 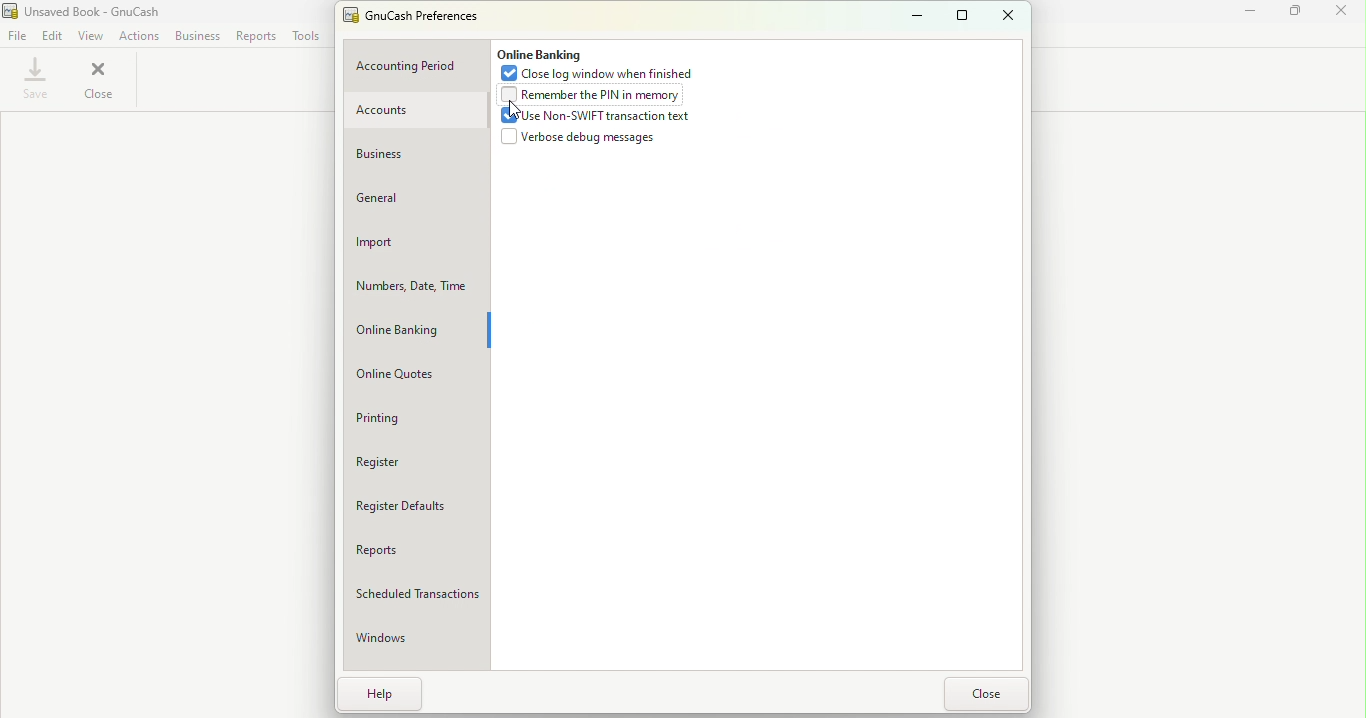 What do you see at coordinates (136, 38) in the screenshot?
I see `Actions` at bounding box center [136, 38].